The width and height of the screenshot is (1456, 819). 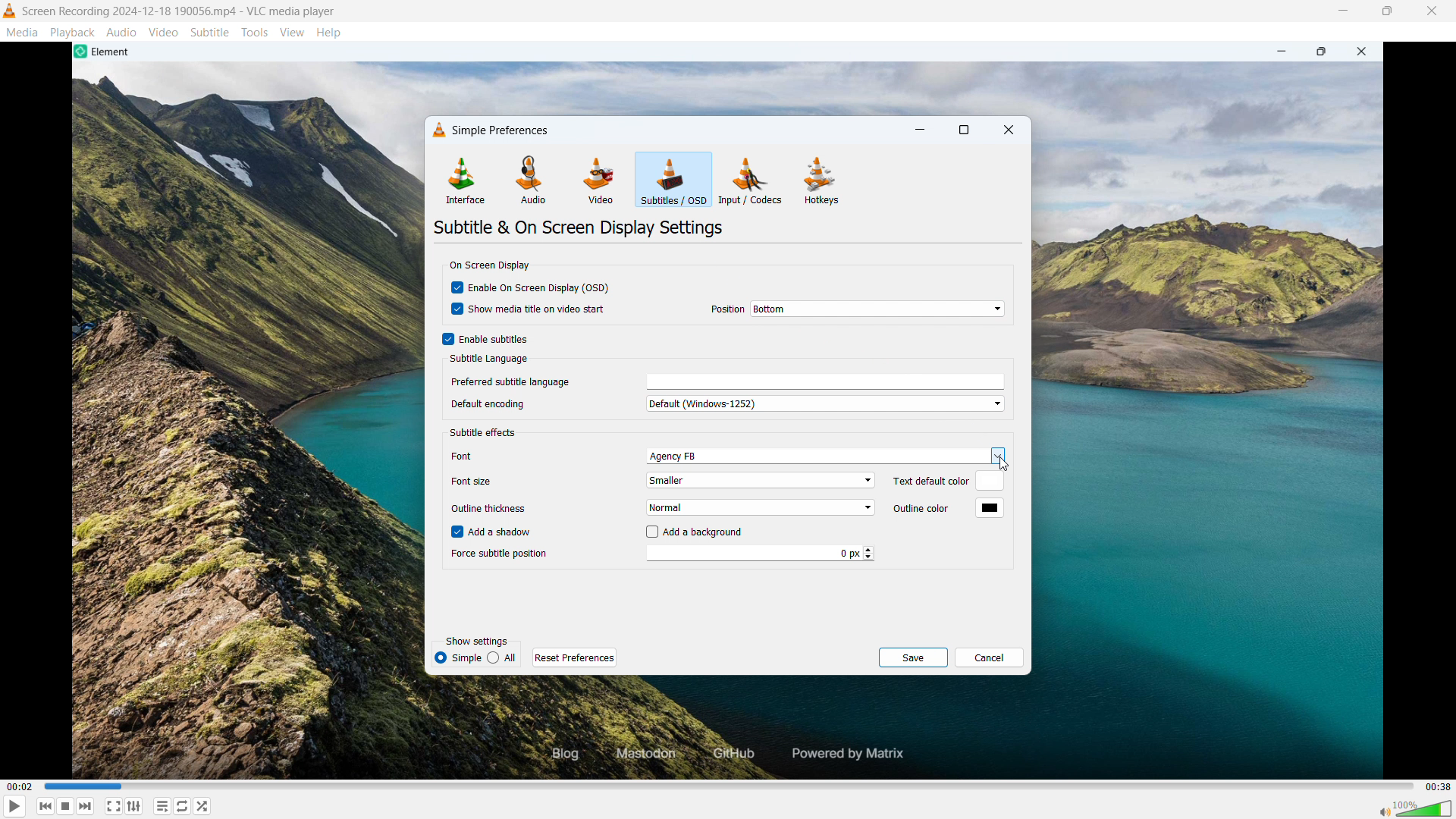 What do you see at coordinates (579, 227) in the screenshot?
I see `subtittles & on screen display settings` at bounding box center [579, 227].